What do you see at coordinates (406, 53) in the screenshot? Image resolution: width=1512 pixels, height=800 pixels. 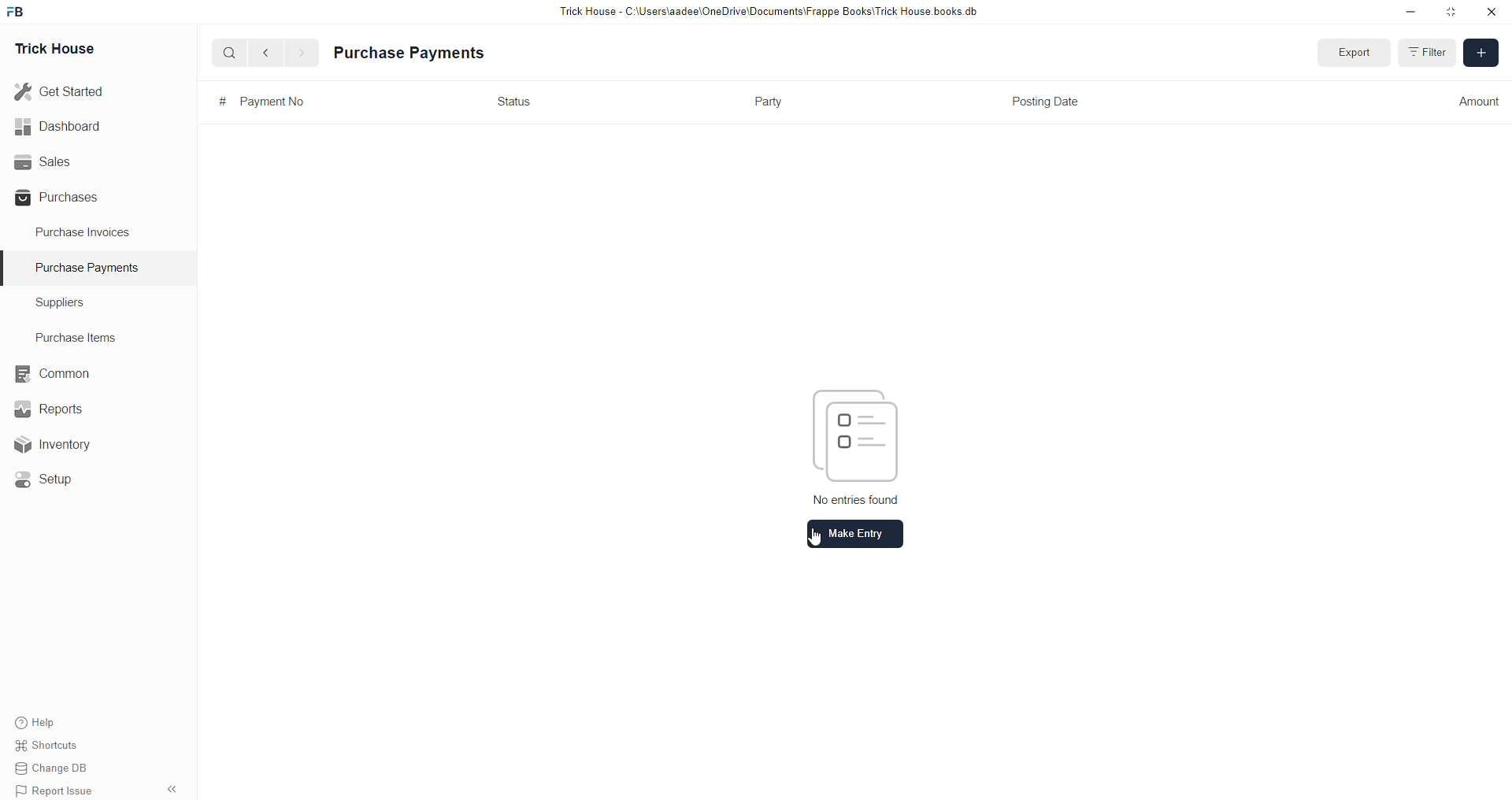 I see `Purchase Invoice` at bounding box center [406, 53].